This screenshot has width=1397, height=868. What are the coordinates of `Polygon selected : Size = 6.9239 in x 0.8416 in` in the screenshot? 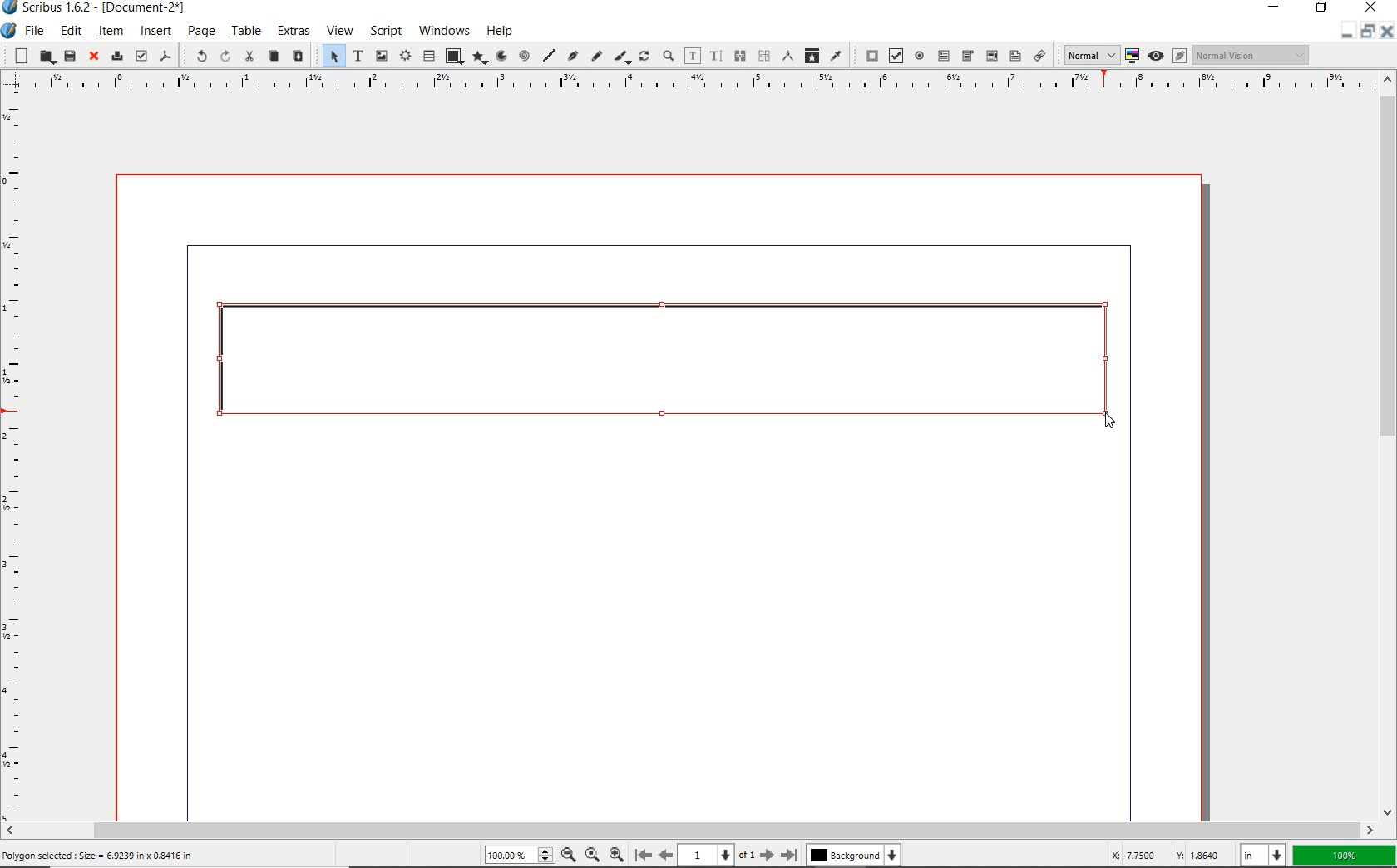 It's located at (101, 854).